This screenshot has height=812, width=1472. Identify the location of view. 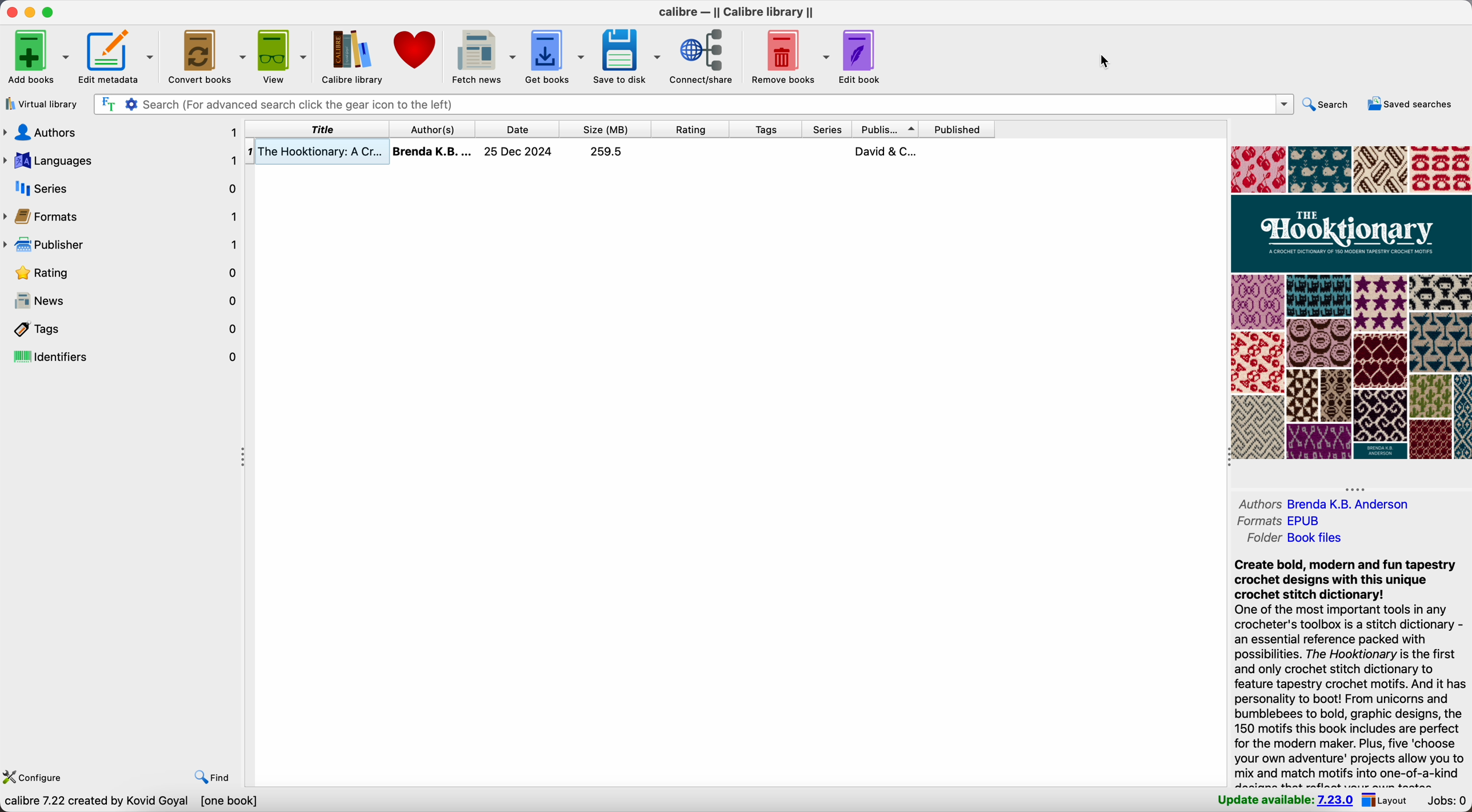
(282, 56).